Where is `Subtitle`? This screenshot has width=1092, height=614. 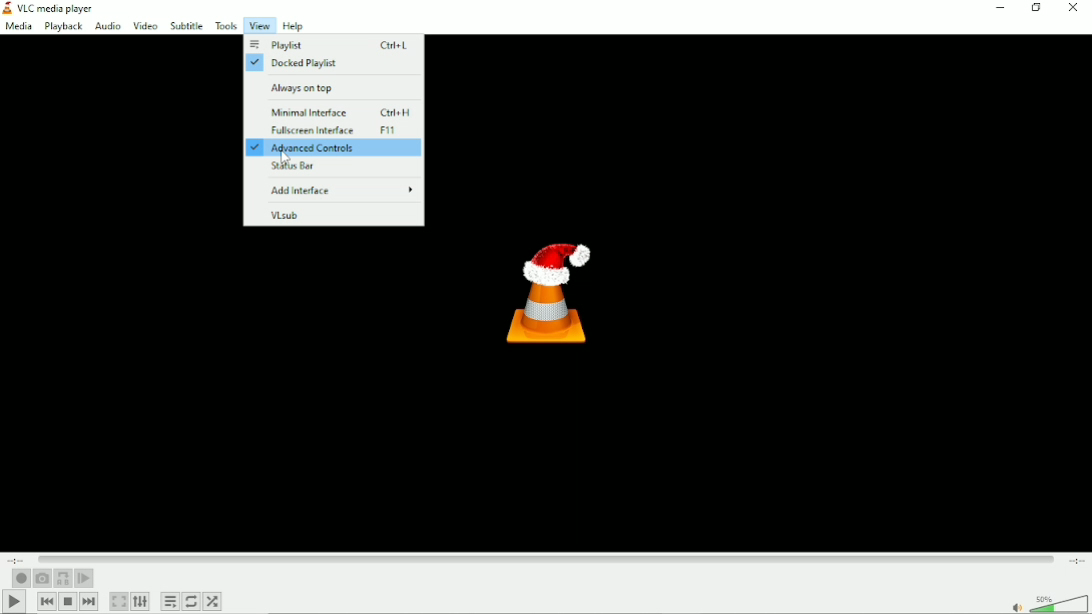
Subtitle is located at coordinates (185, 25).